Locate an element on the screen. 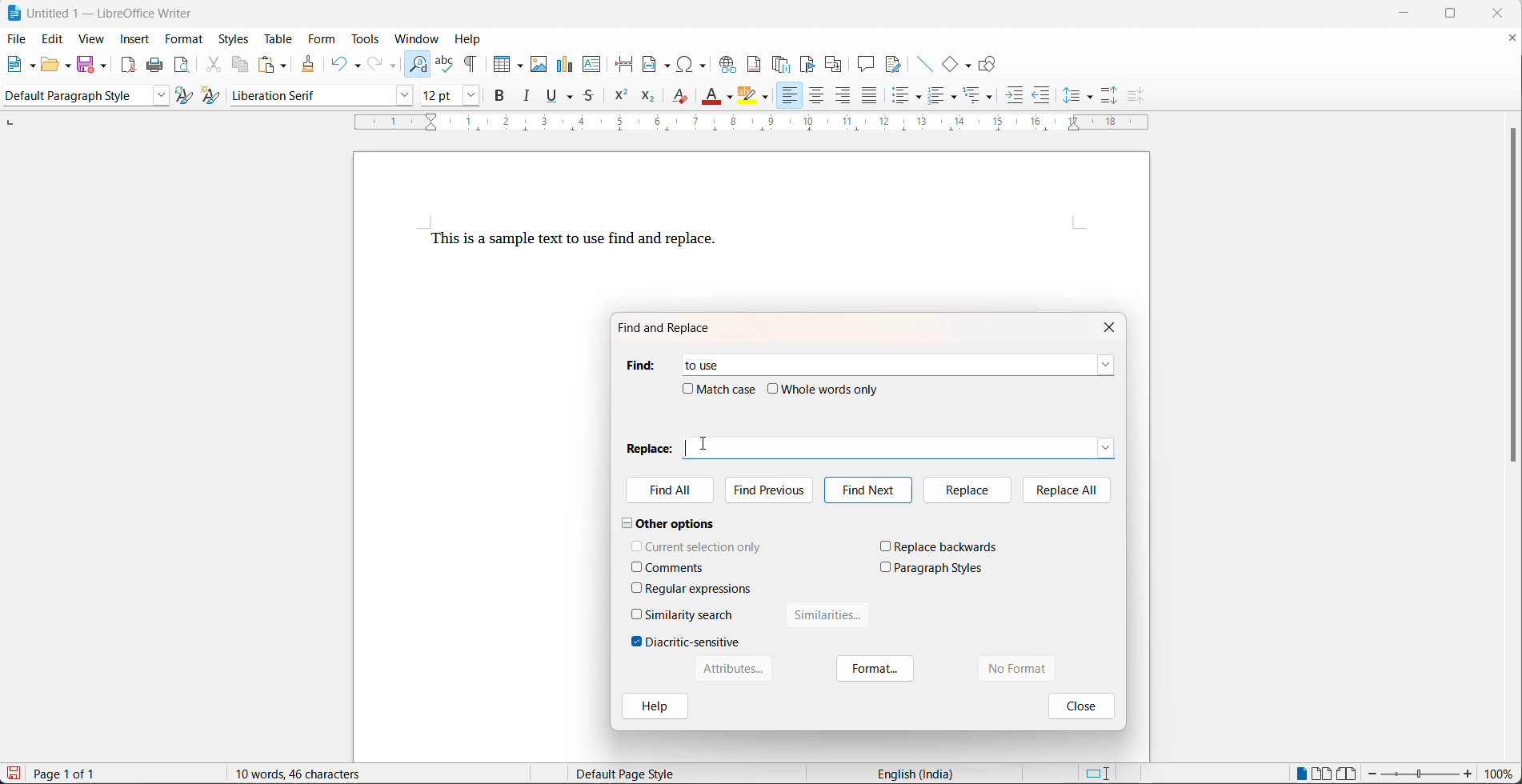  checkbox is located at coordinates (687, 388).